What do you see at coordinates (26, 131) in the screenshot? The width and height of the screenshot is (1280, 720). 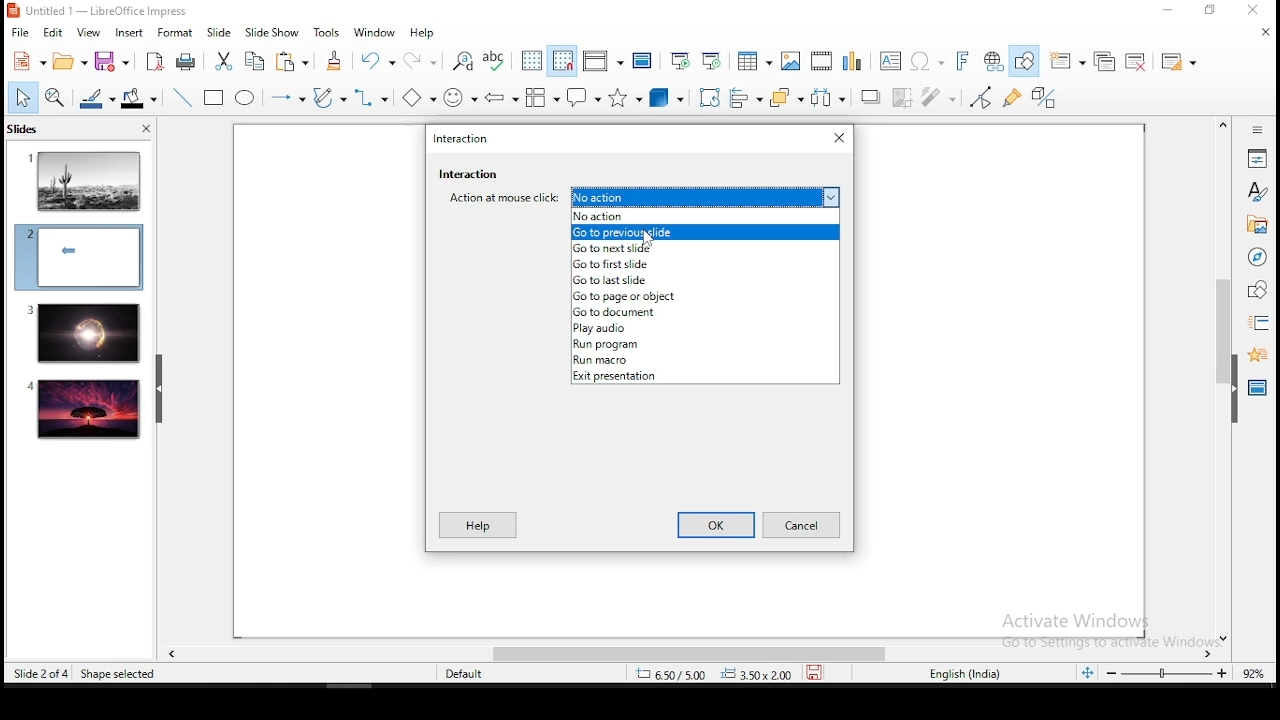 I see `slides` at bounding box center [26, 131].